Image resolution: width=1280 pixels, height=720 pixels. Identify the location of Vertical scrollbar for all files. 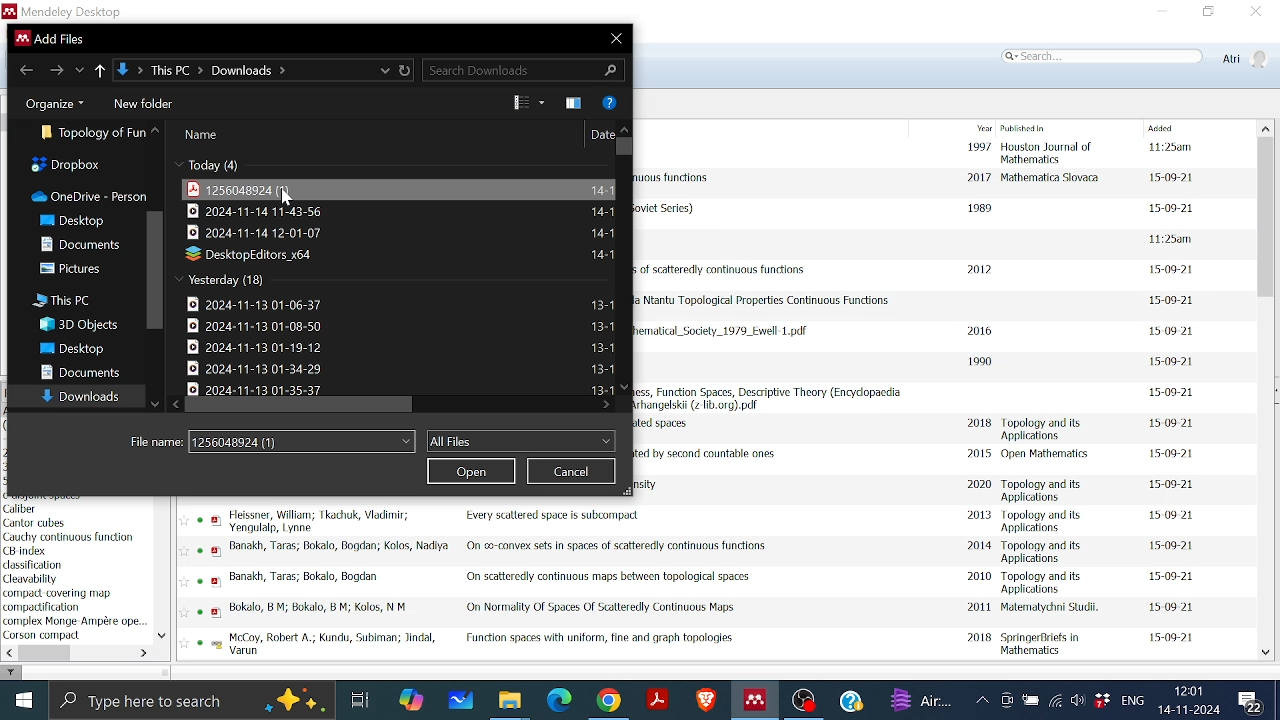
(624, 148).